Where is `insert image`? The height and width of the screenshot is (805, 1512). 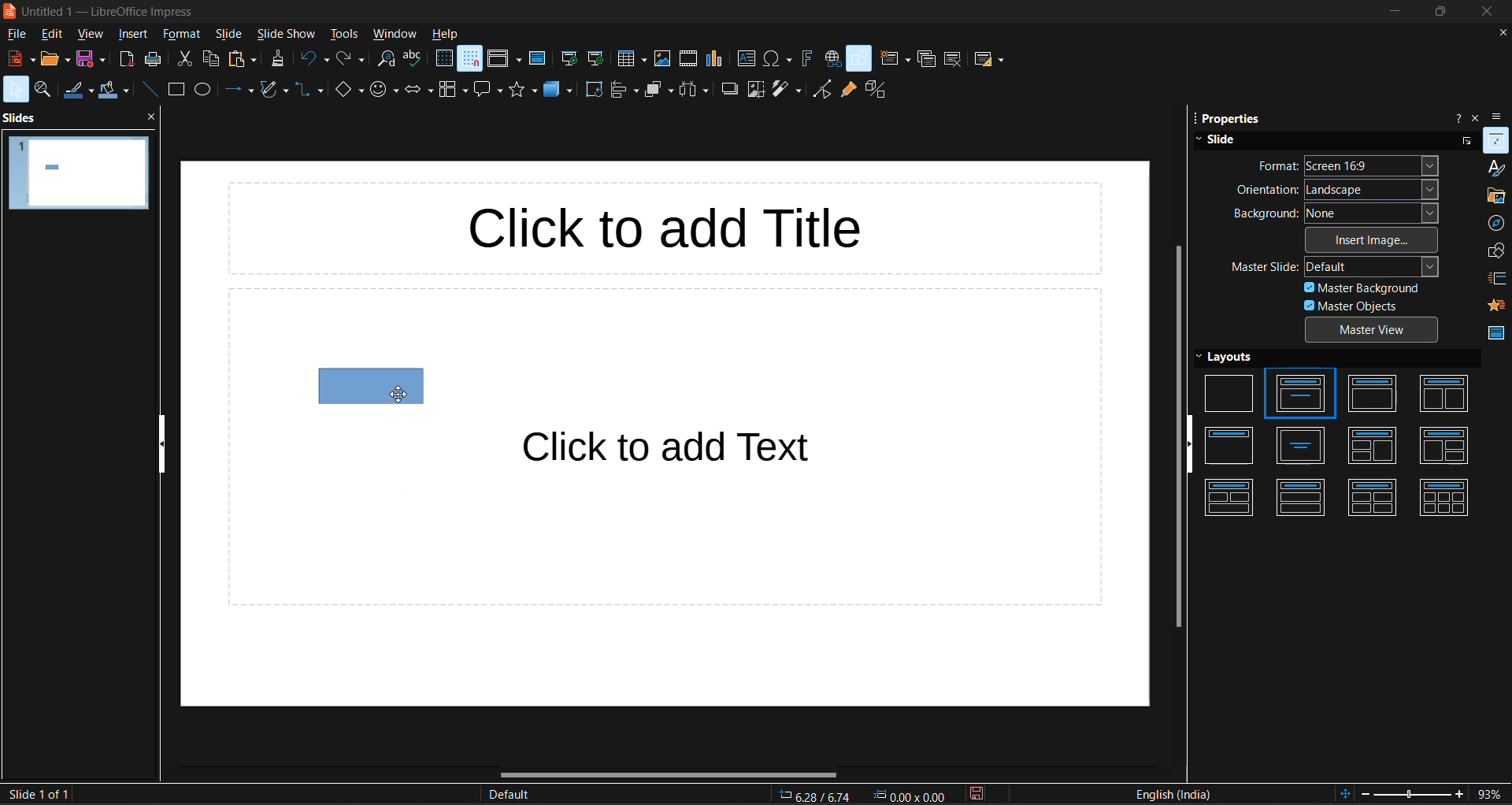 insert image is located at coordinates (1366, 242).